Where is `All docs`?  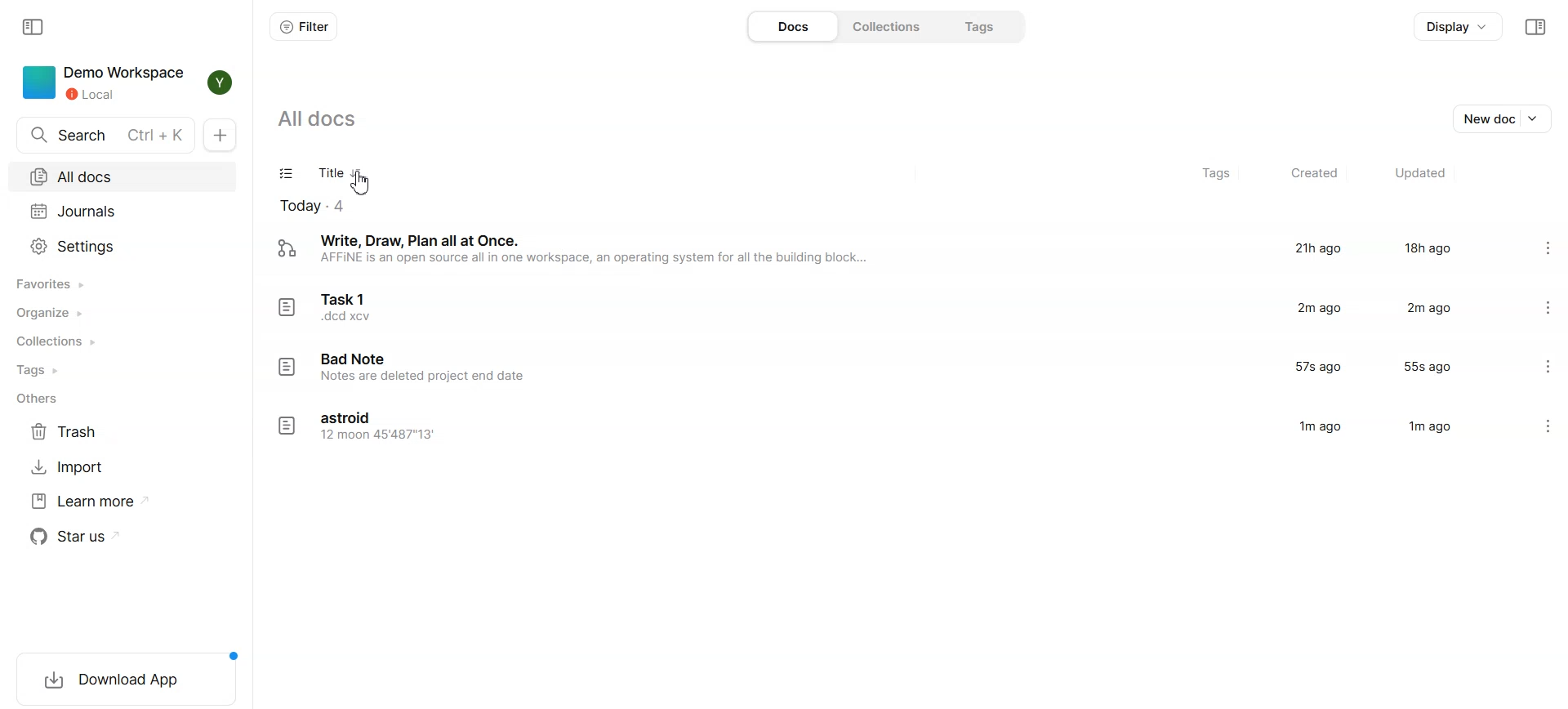
All docs is located at coordinates (122, 178).